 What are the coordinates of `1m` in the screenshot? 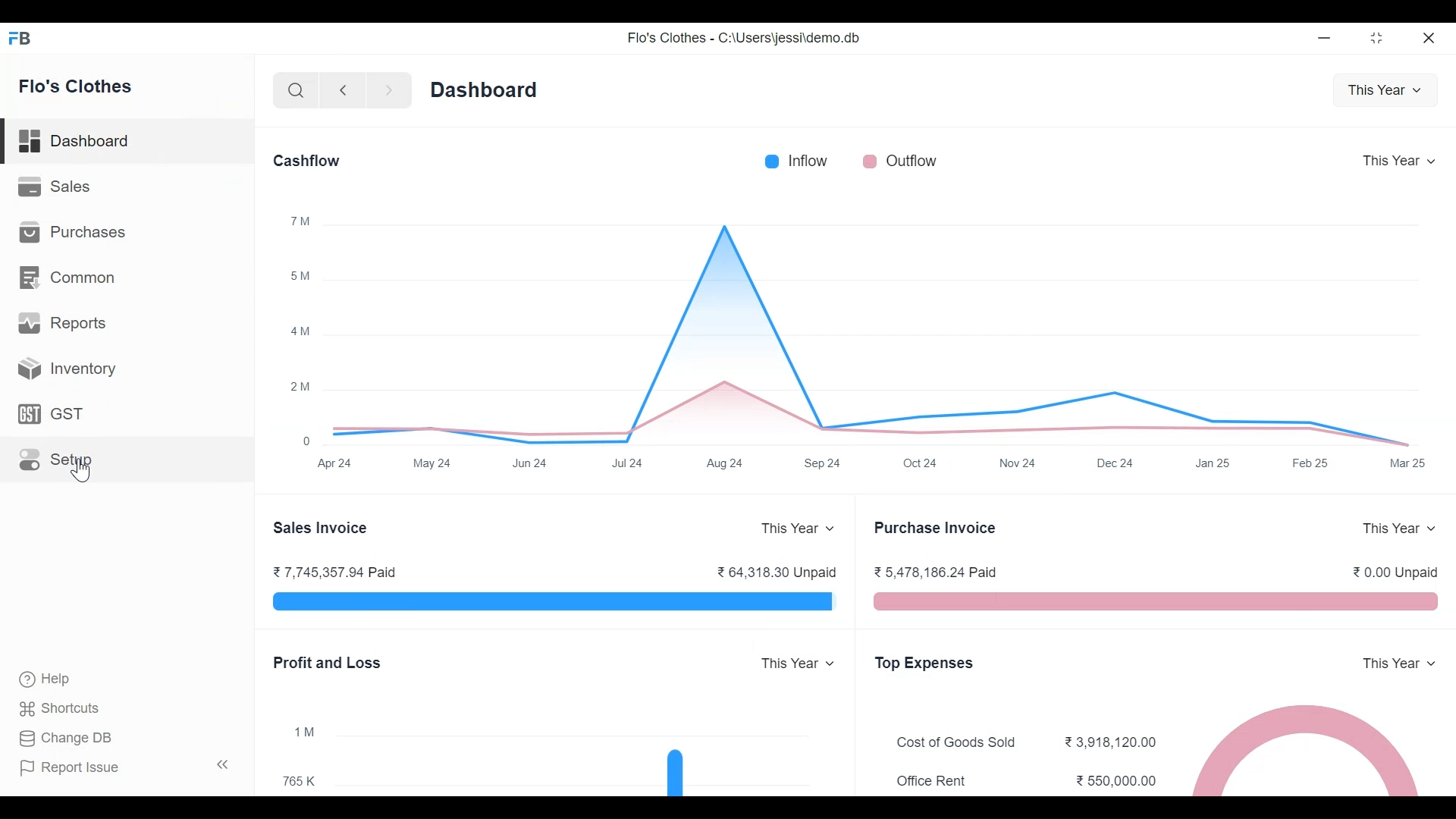 It's located at (300, 729).